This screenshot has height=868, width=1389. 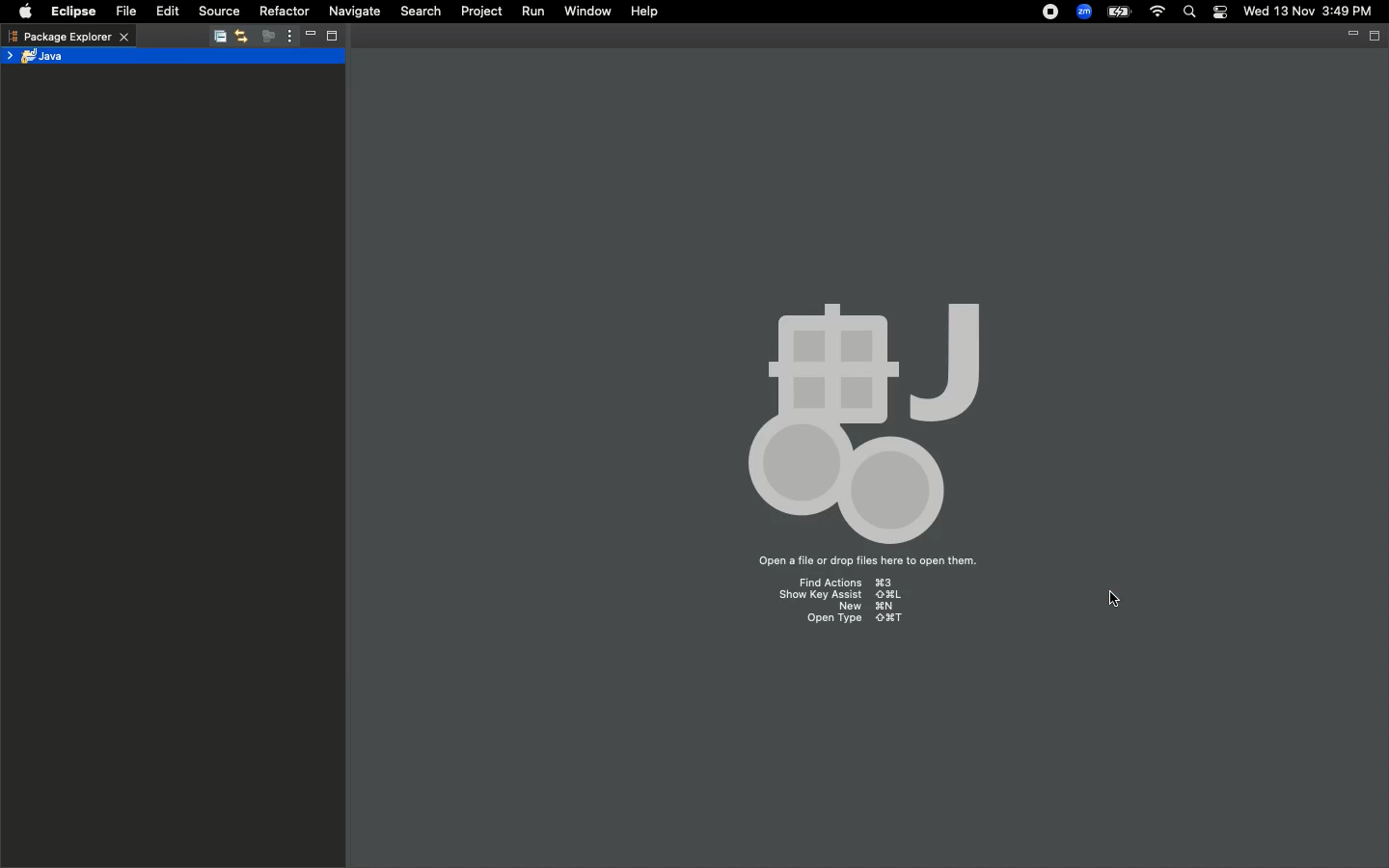 I want to click on Source, so click(x=220, y=12).